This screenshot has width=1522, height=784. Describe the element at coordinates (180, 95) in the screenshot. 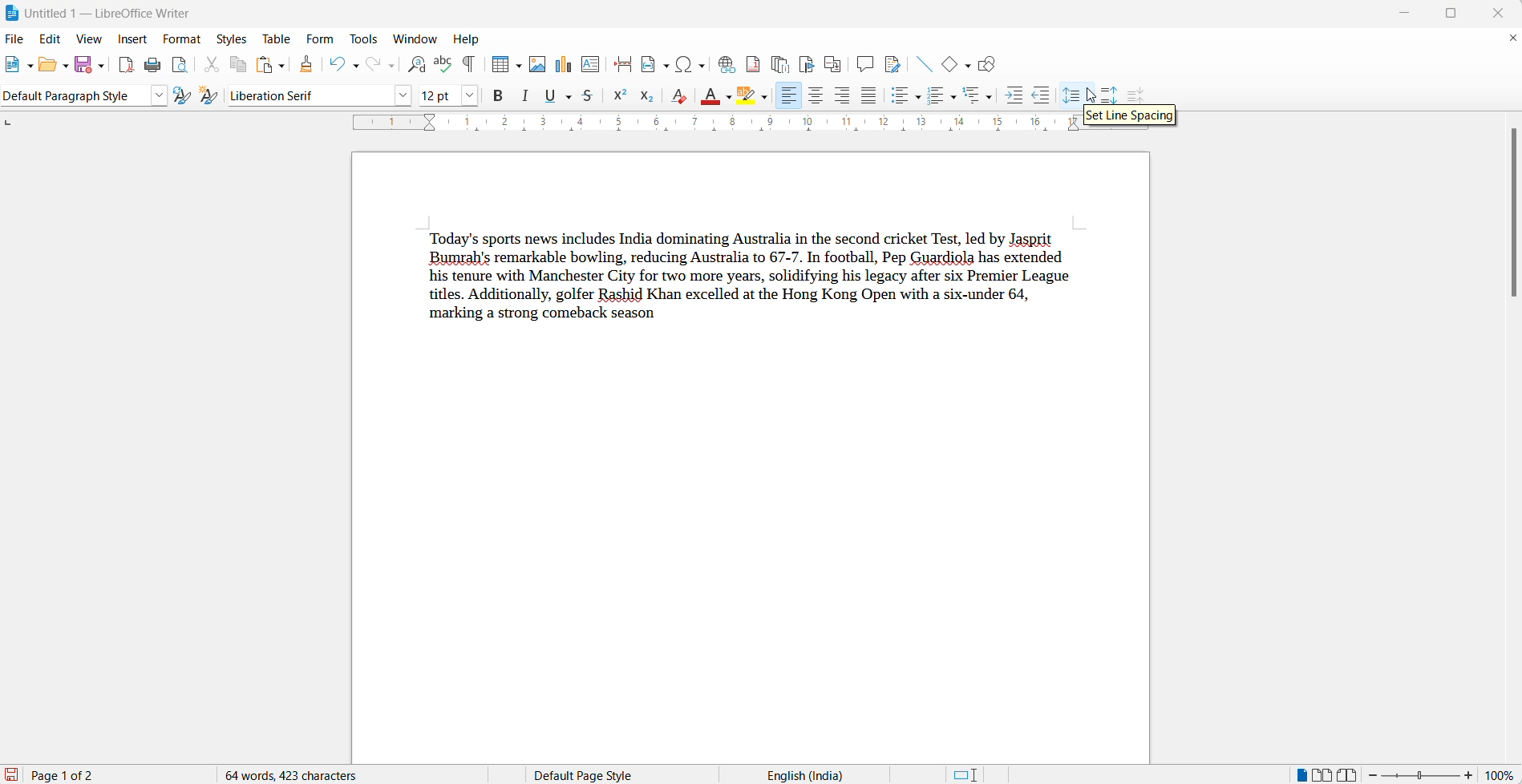

I see `update selected style` at that location.